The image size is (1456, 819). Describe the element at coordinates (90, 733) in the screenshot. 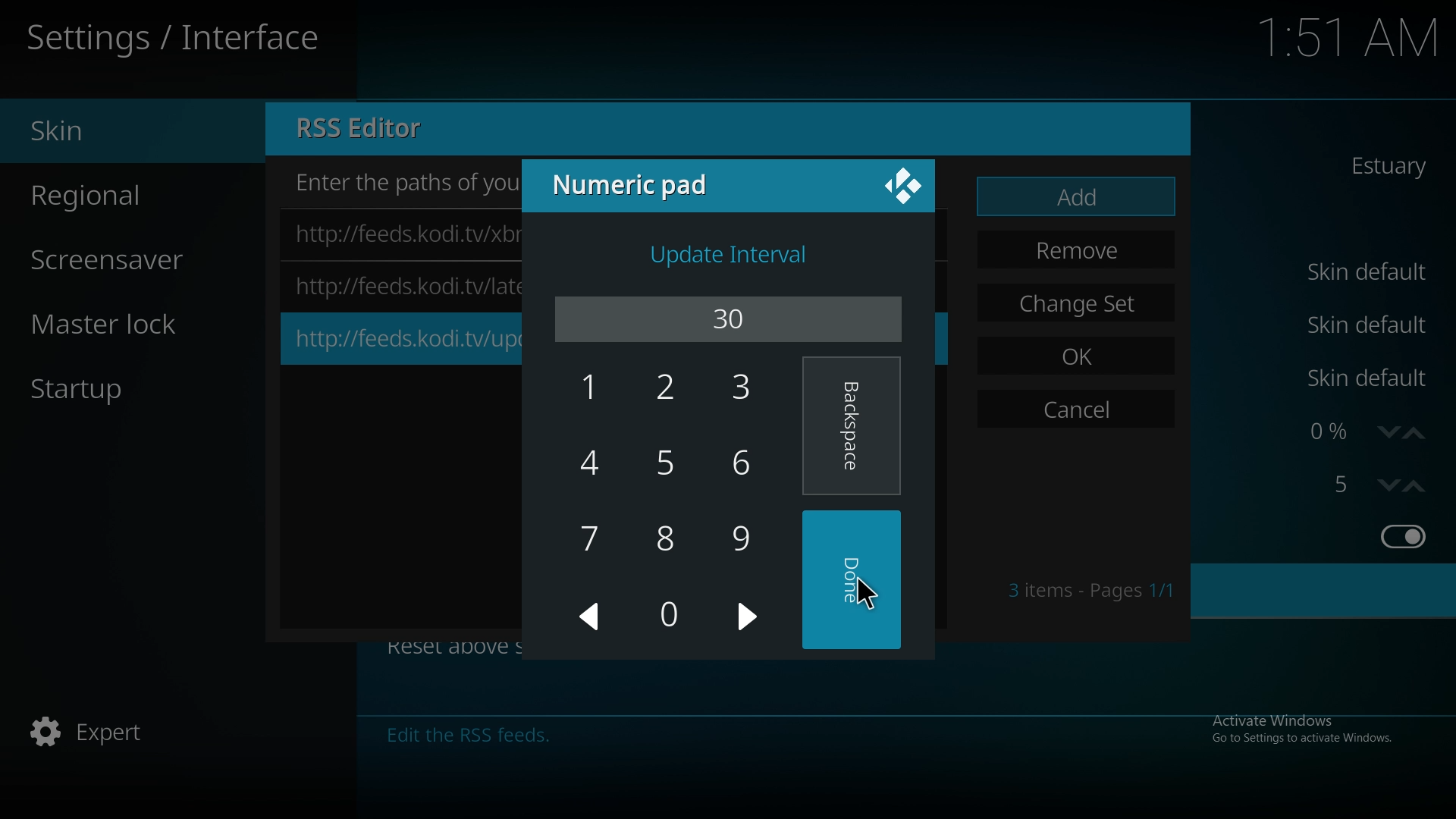

I see `Expert` at that location.